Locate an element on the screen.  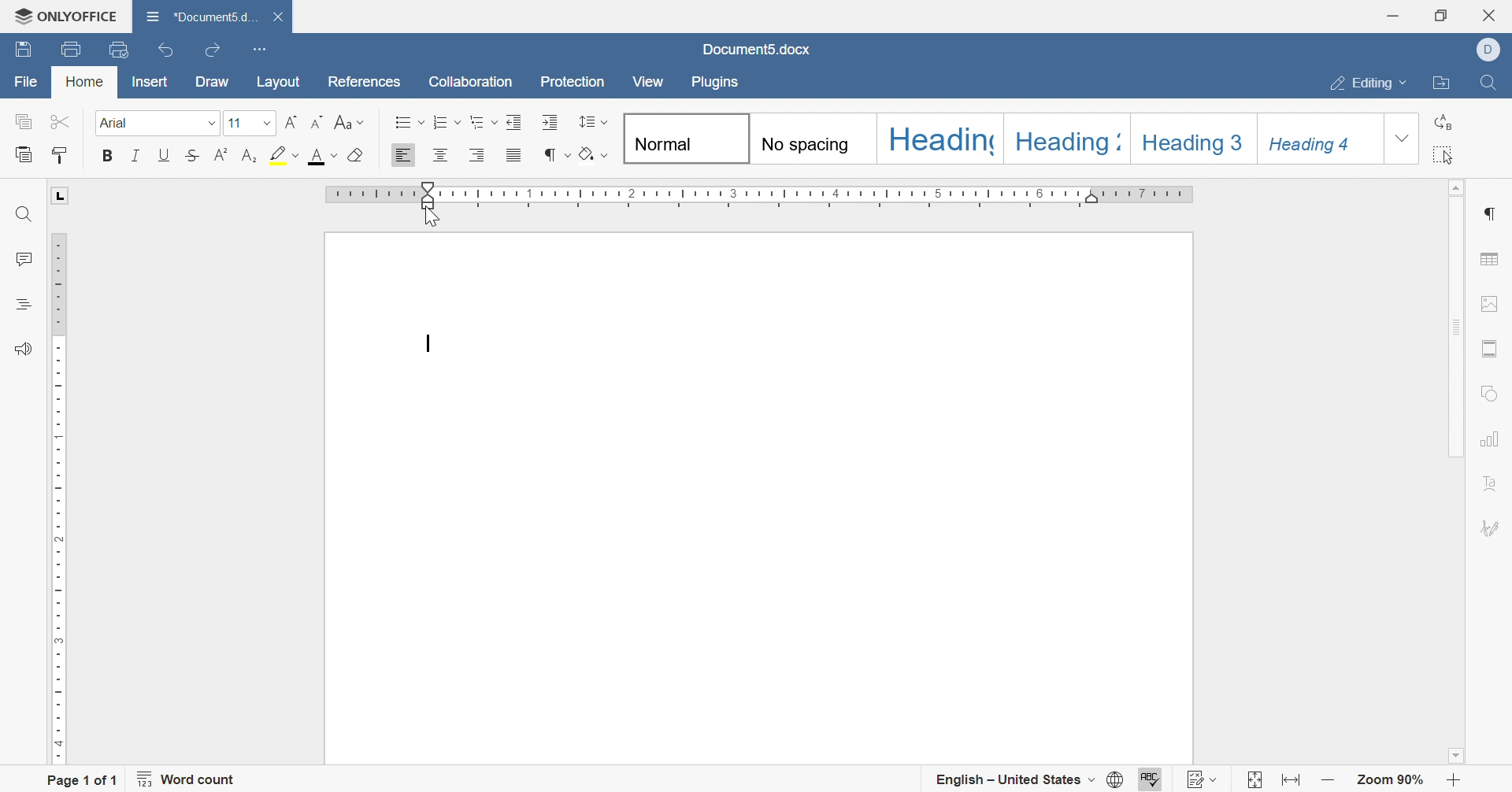
drop down is located at coordinates (1403, 140).